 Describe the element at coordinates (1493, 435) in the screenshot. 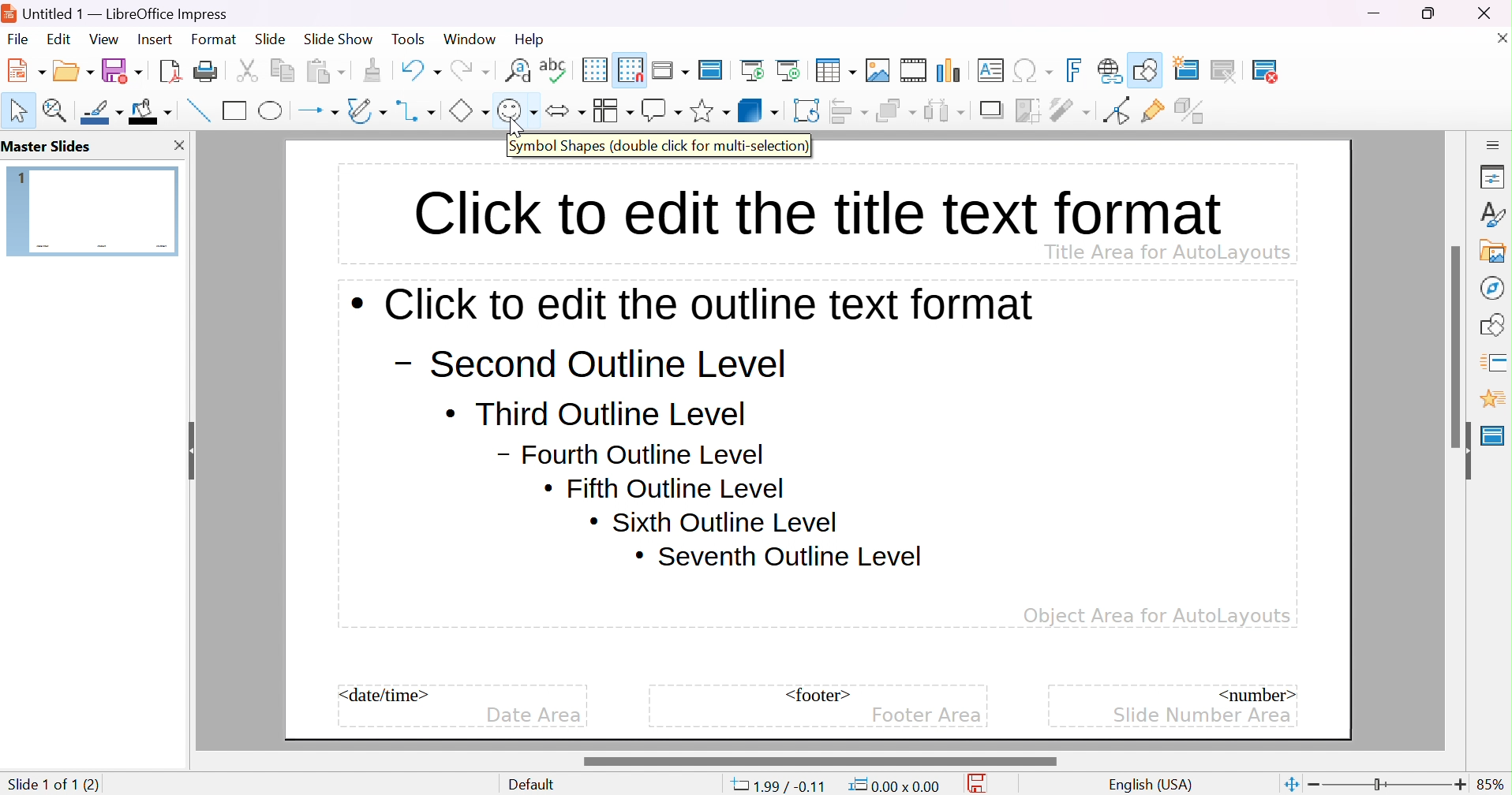

I see `master slide` at that location.